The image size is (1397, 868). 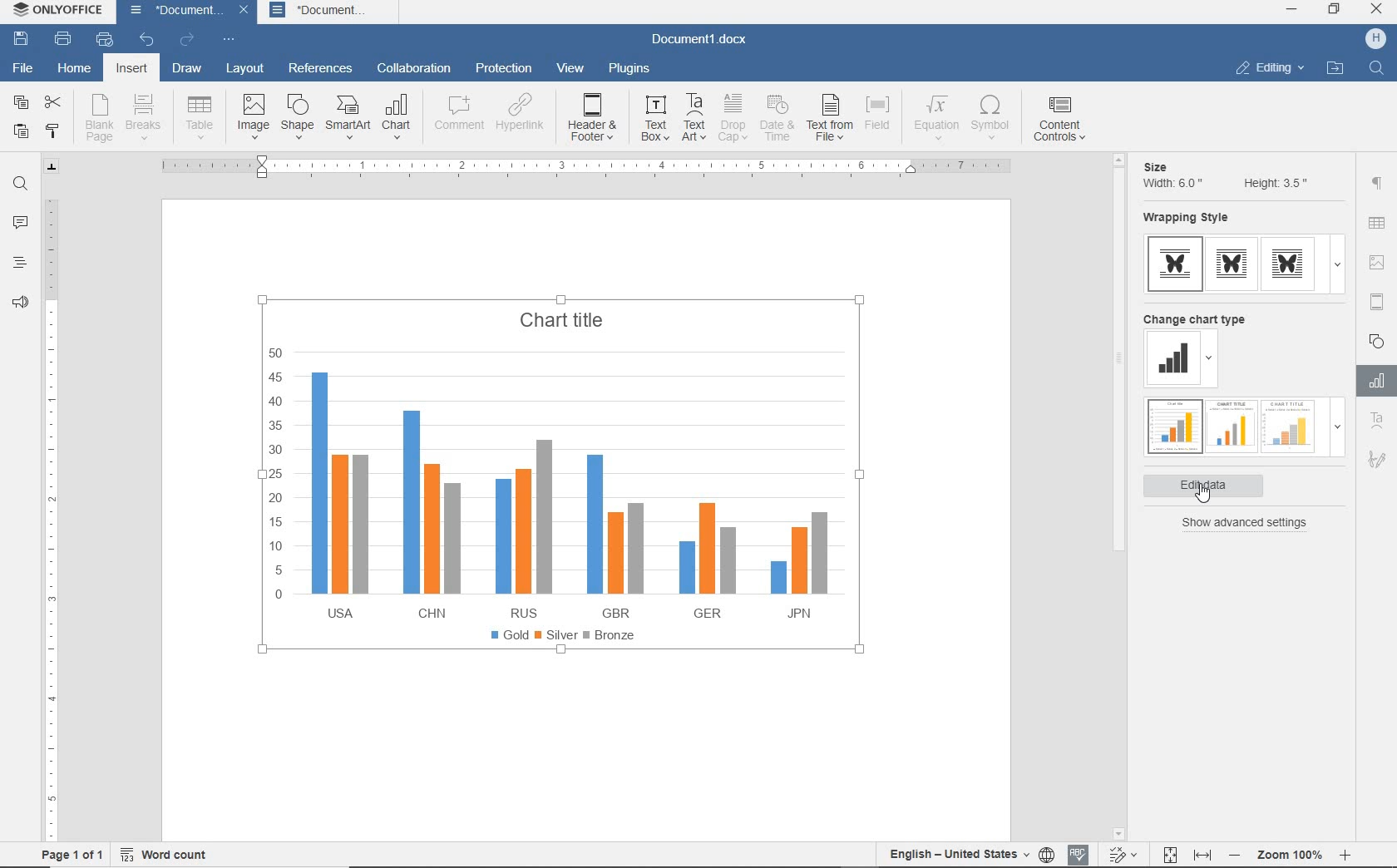 I want to click on document, so click(x=332, y=12).